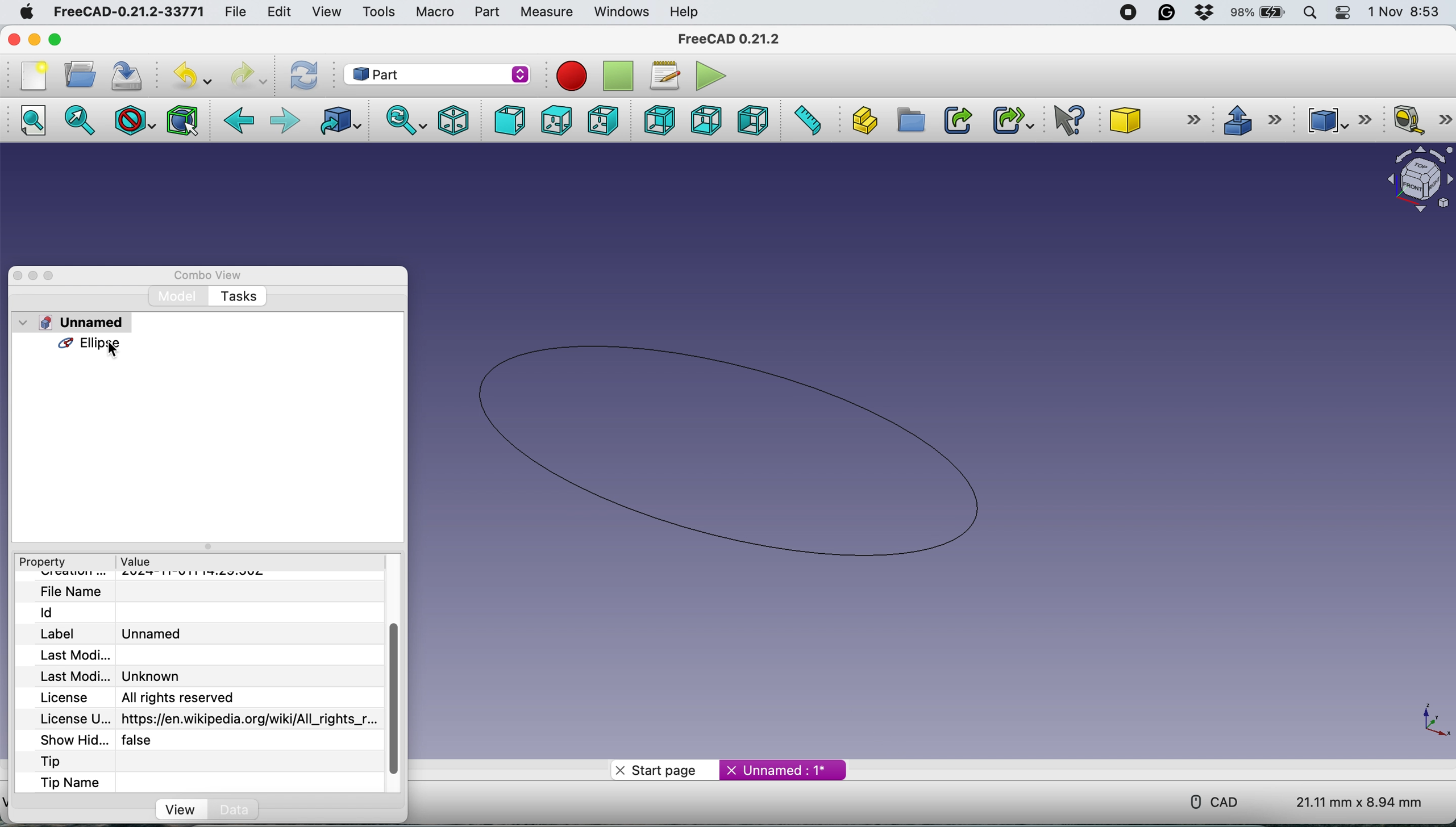 The height and width of the screenshot is (827, 1456). Describe the element at coordinates (77, 322) in the screenshot. I see `unnamed` at that location.